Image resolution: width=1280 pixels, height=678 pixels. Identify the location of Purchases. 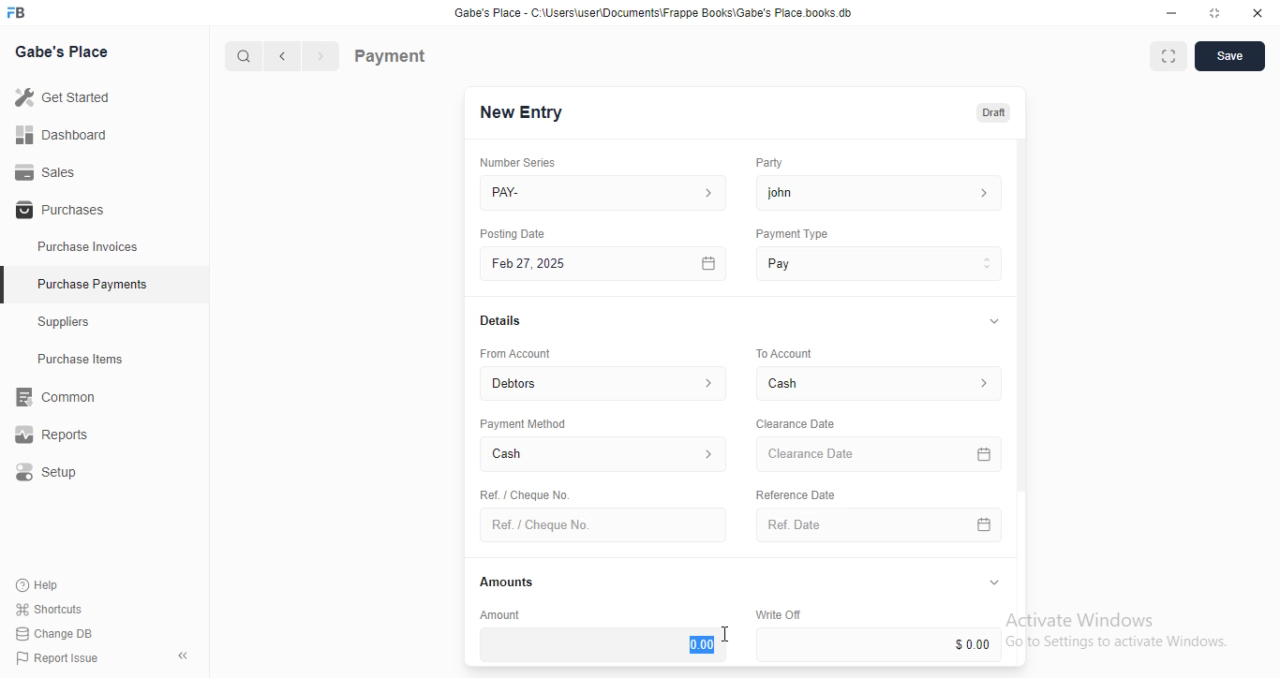
(57, 211).